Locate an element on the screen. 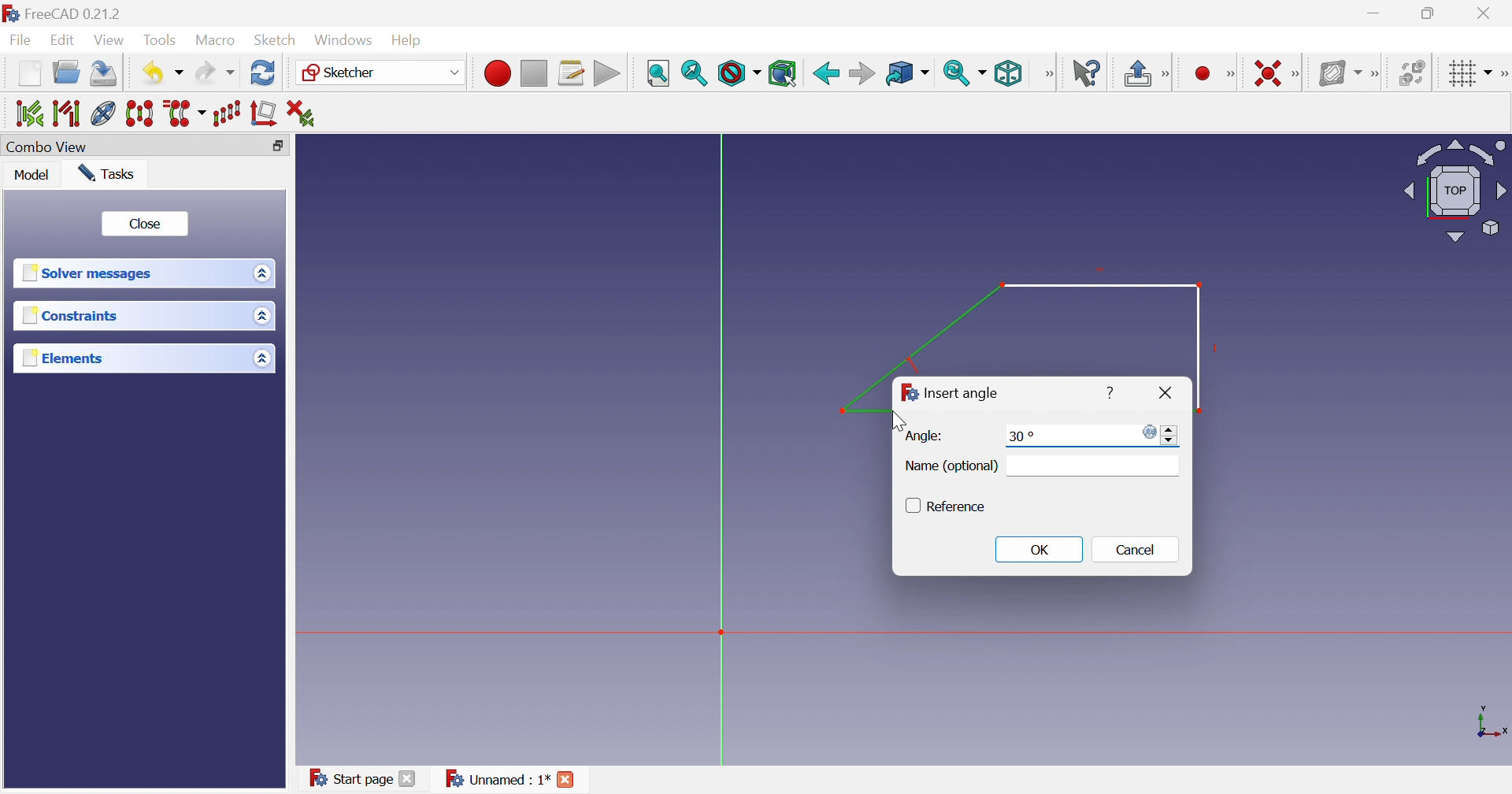 The width and height of the screenshot is (1512, 794). Drop Down is located at coordinates (1489, 70).